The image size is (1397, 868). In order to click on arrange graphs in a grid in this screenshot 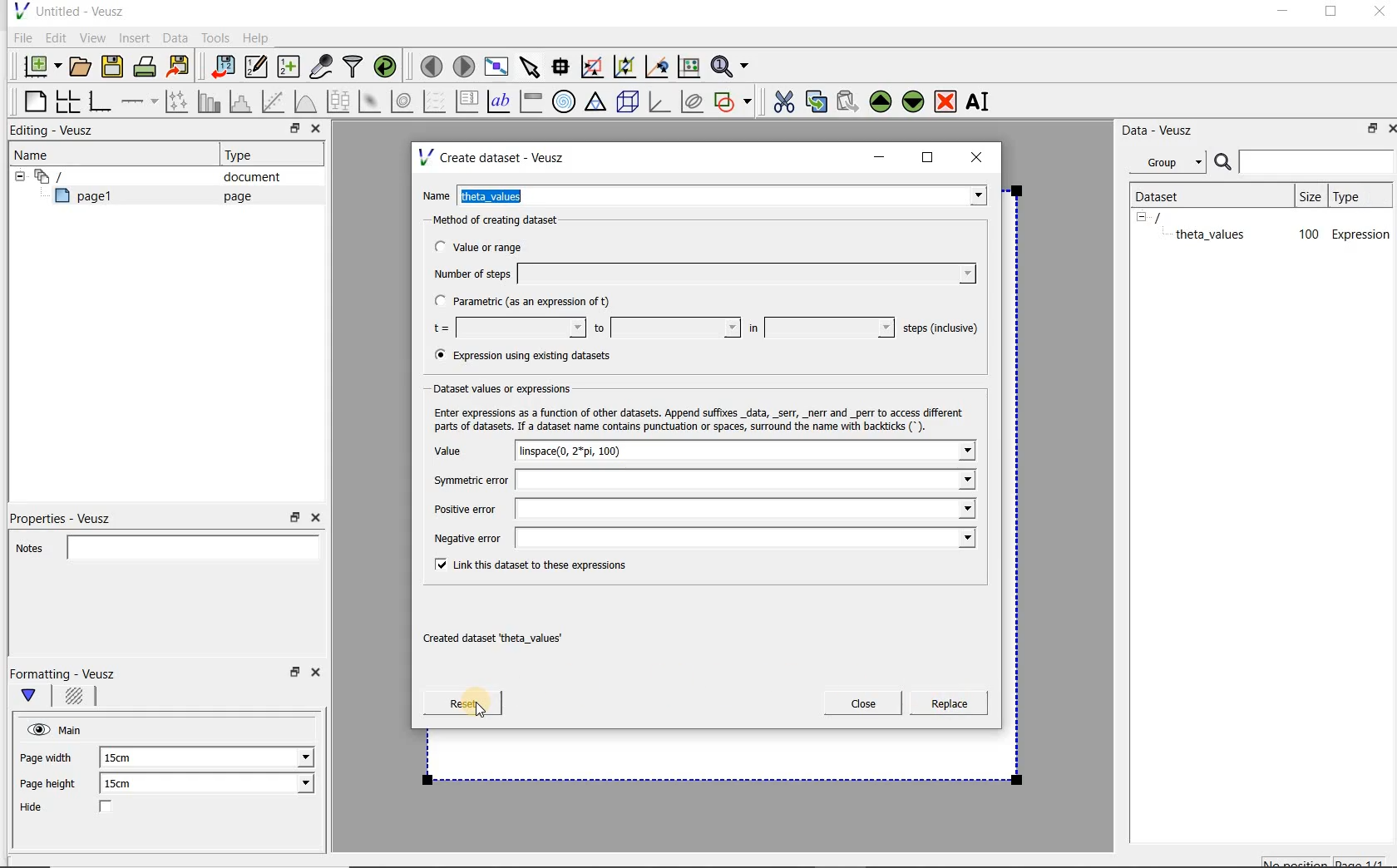, I will do `click(67, 101)`.